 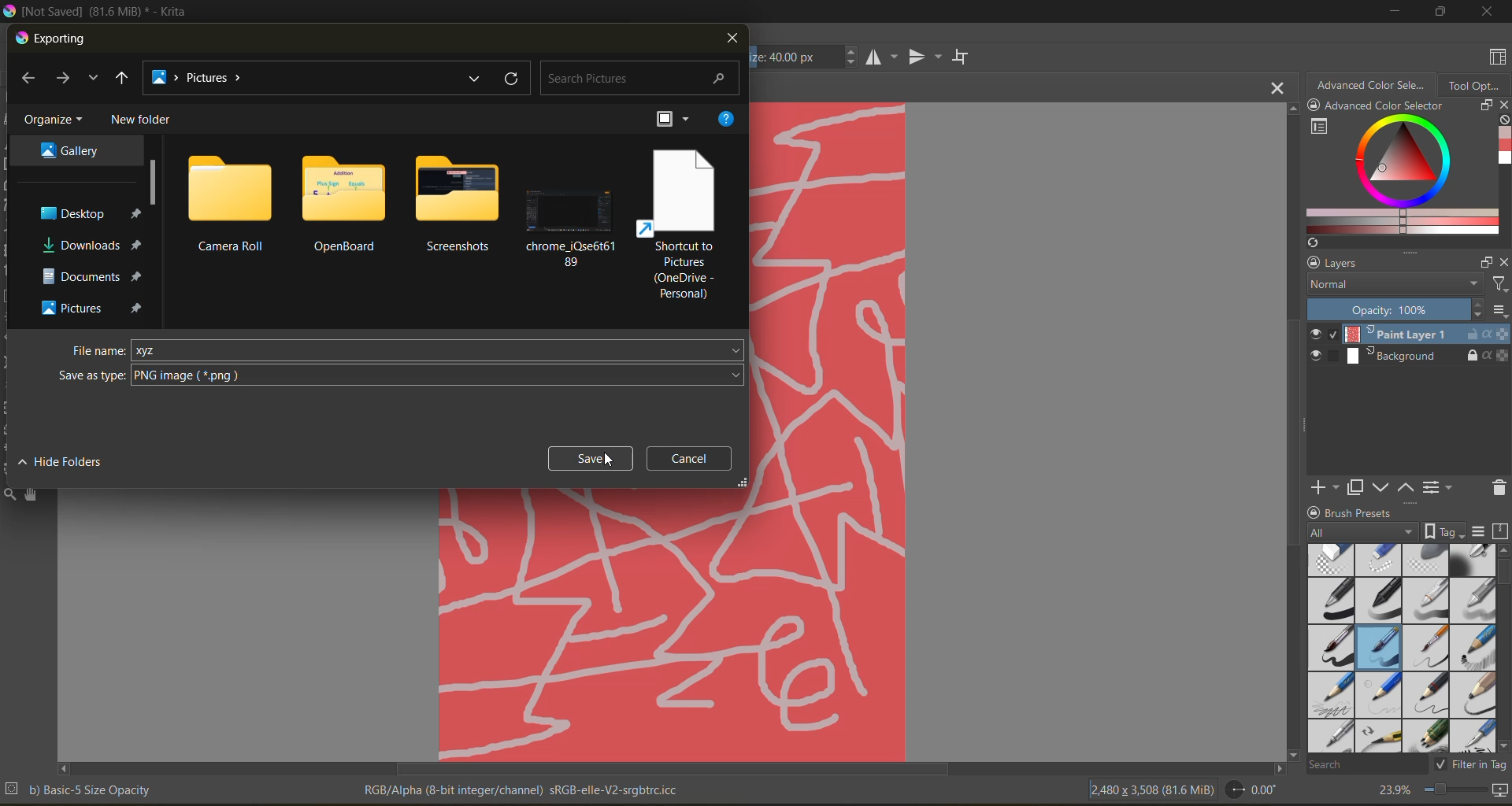 What do you see at coordinates (879, 57) in the screenshot?
I see `flip horizontally` at bounding box center [879, 57].